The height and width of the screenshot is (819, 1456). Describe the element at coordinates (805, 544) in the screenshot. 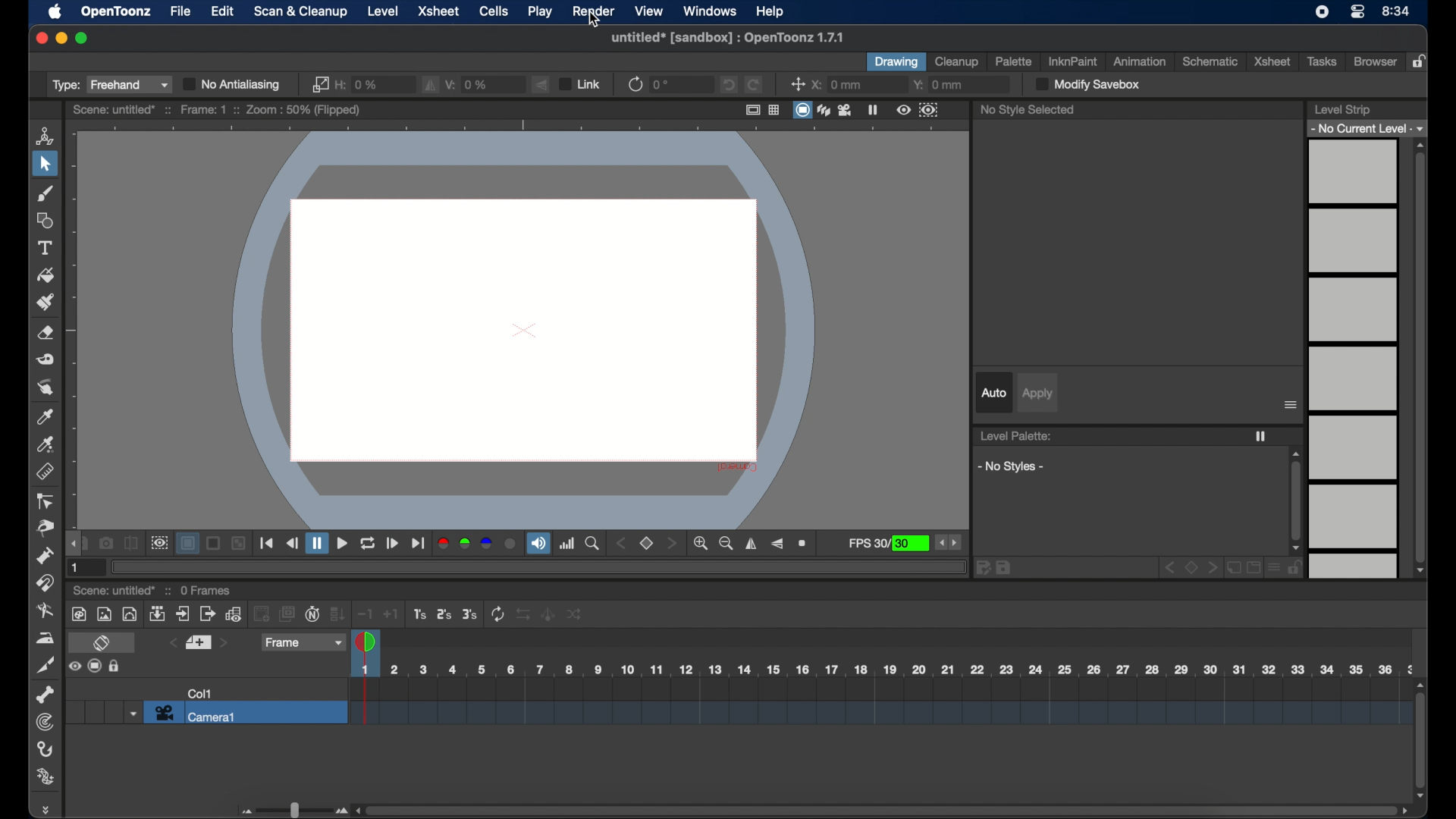

I see `zoom` at that location.